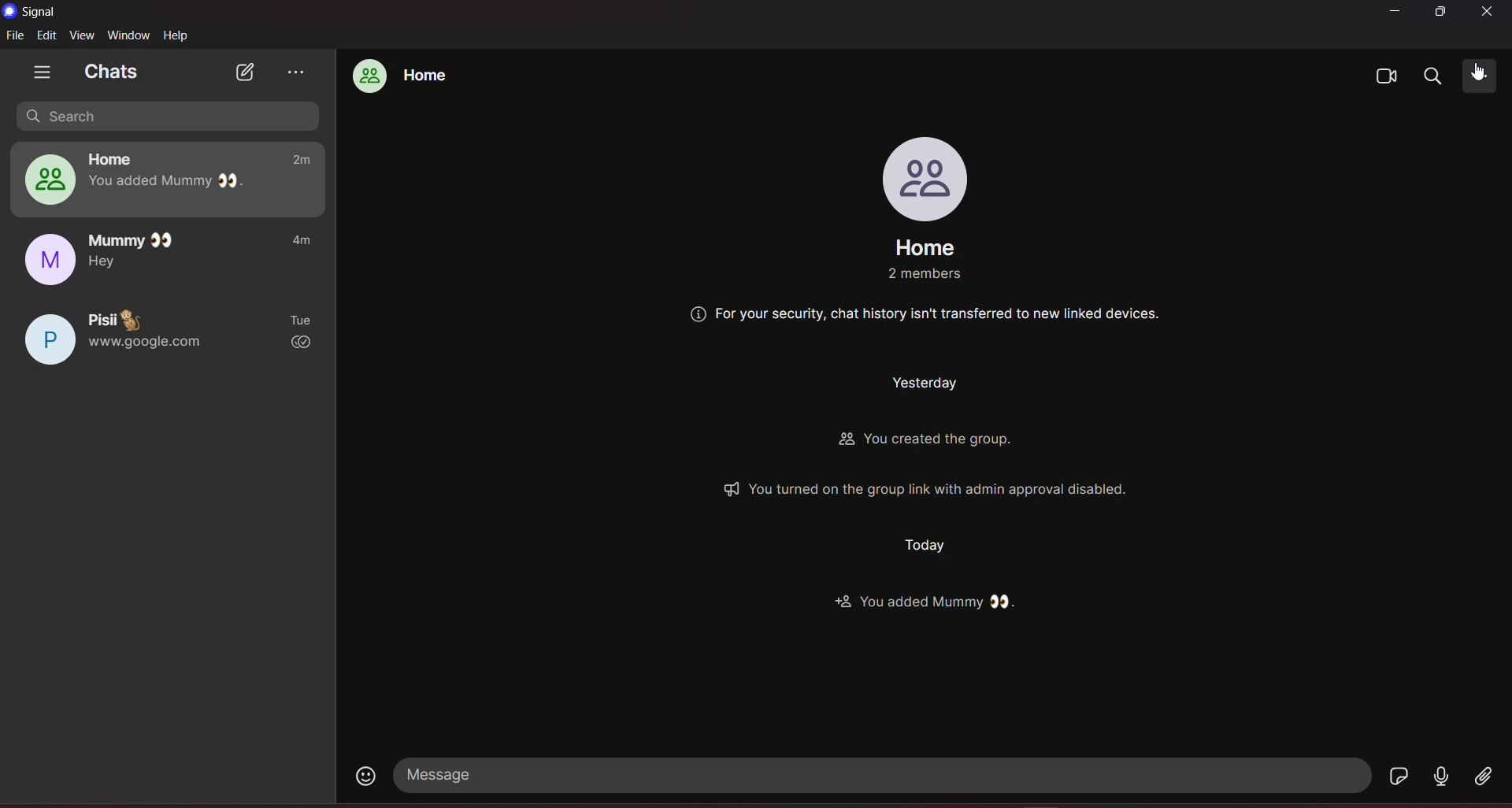 The width and height of the screenshot is (1512, 808). I want to click on cursor, so click(1483, 77).